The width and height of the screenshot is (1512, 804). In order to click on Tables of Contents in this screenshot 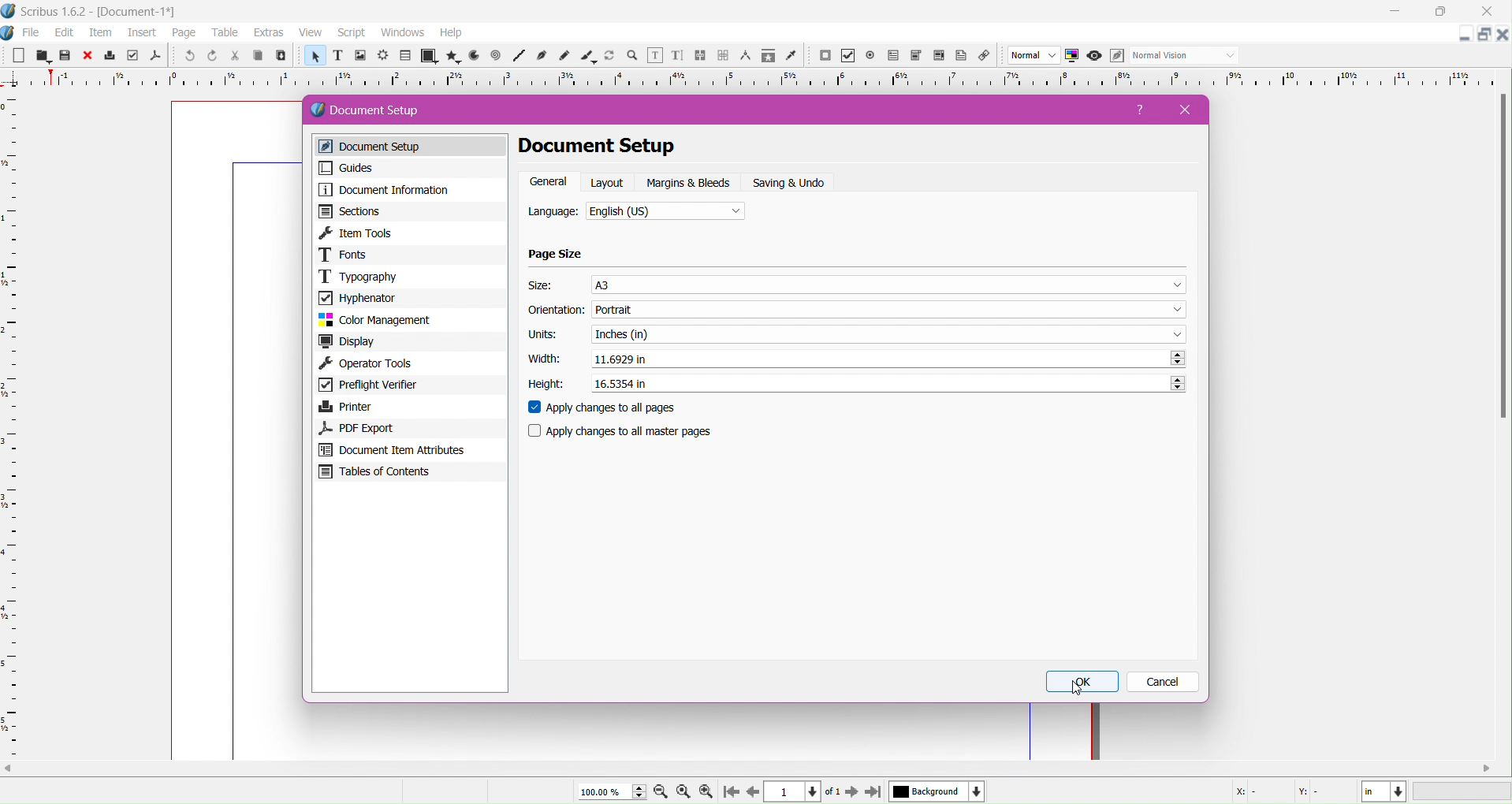, I will do `click(409, 474)`.